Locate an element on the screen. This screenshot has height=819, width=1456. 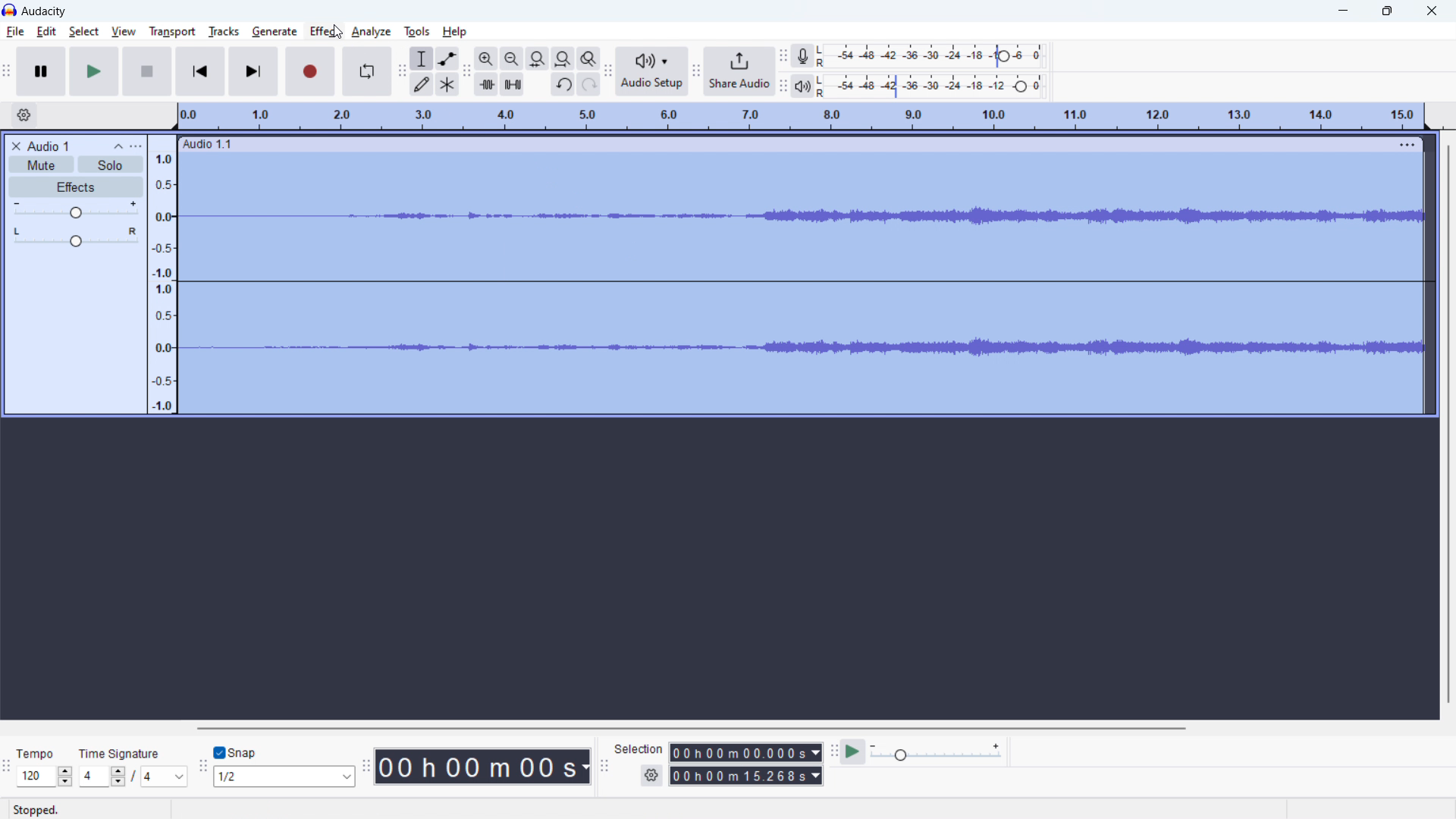
view menu is located at coordinates (136, 146).